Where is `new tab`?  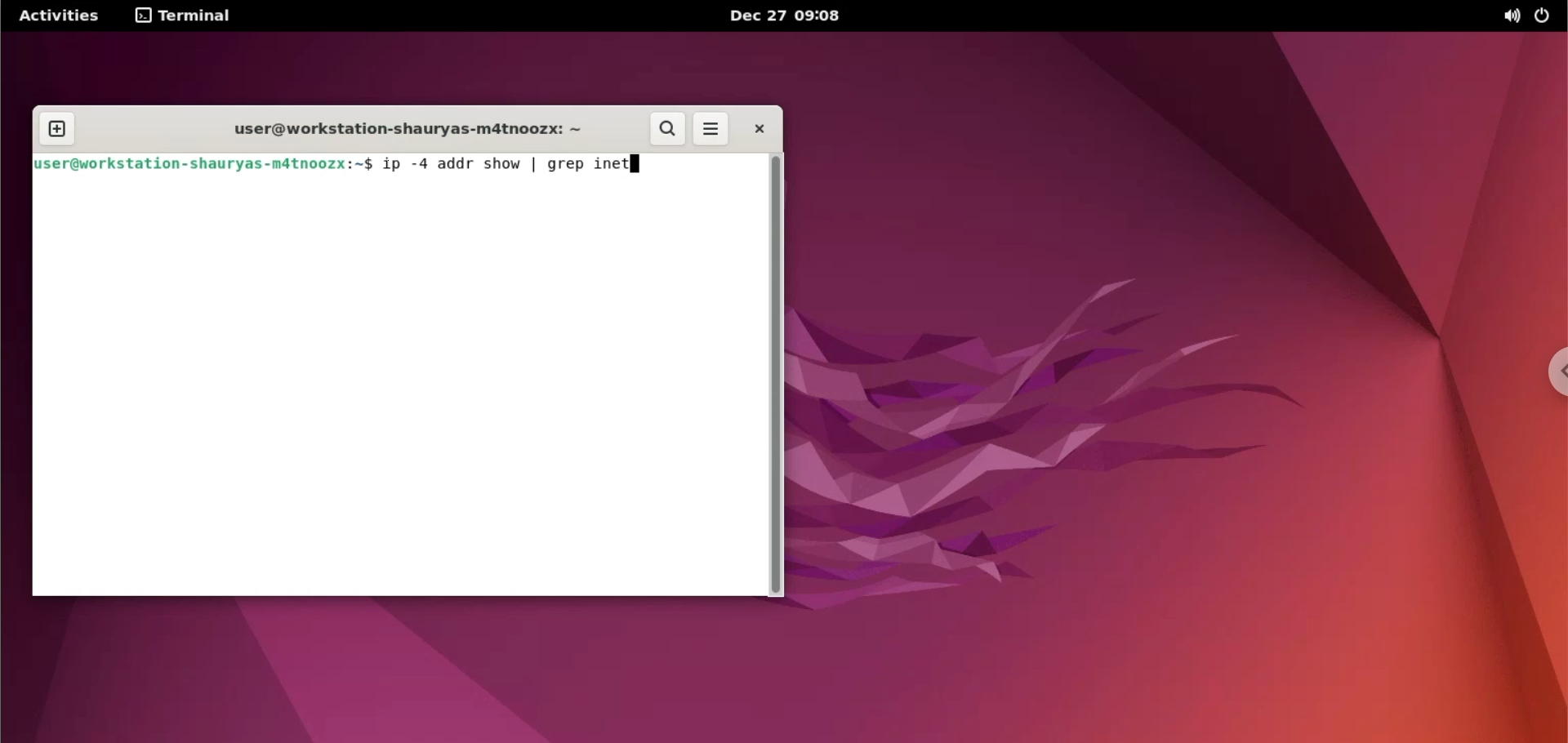 new tab is located at coordinates (56, 128).